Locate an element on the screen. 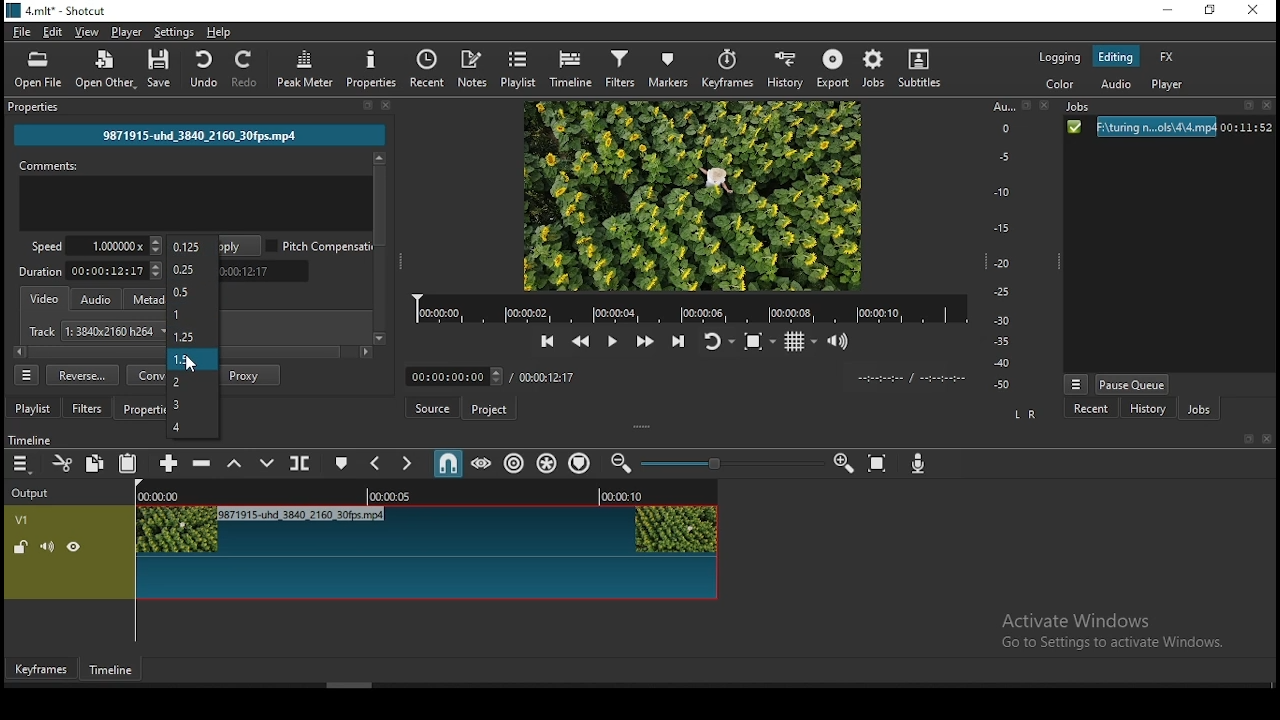  peak meter is located at coordinates (306, 68).